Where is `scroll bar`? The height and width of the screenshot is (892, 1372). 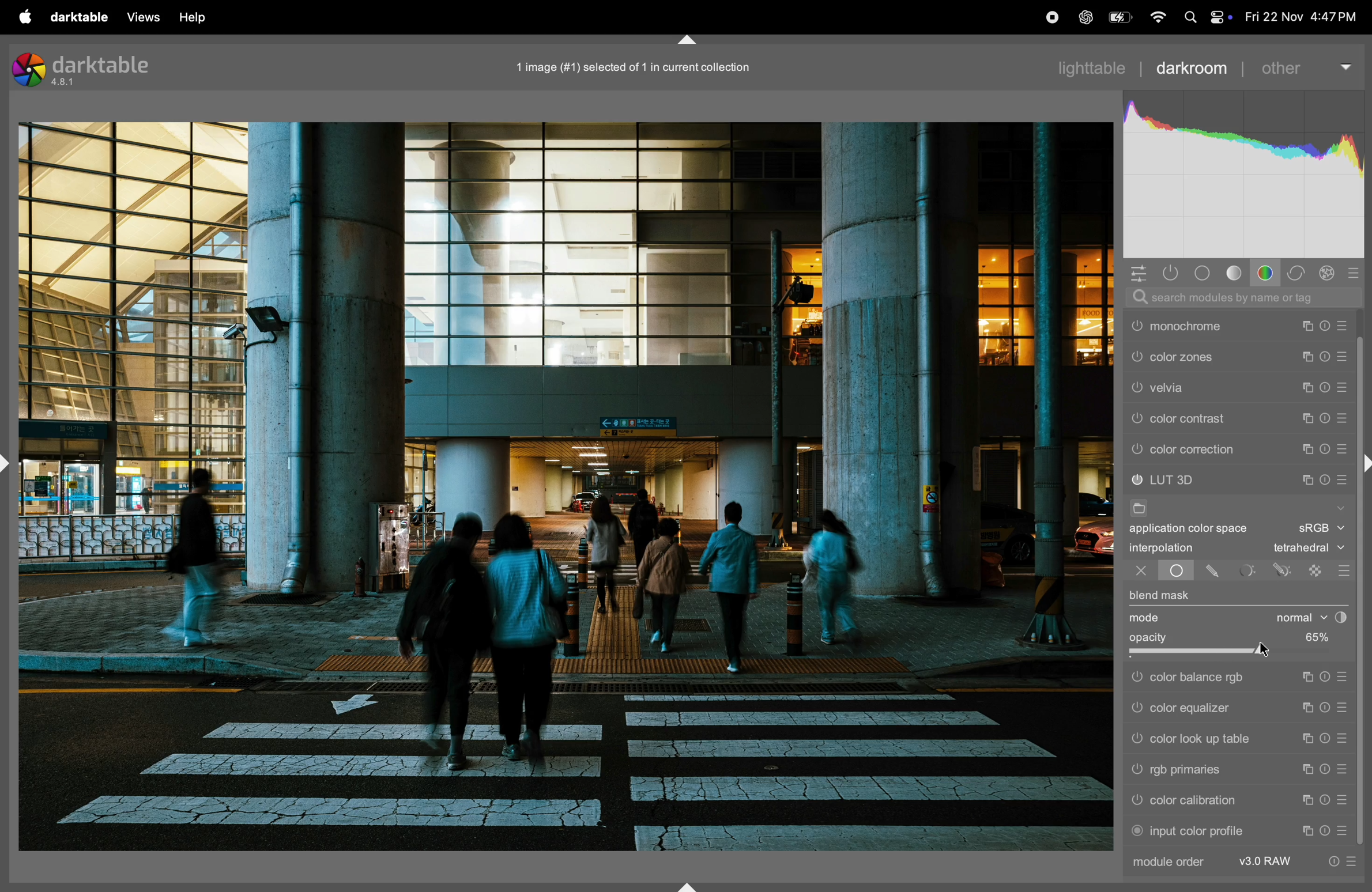
scroll bar is located at coordinates (1363, 664).